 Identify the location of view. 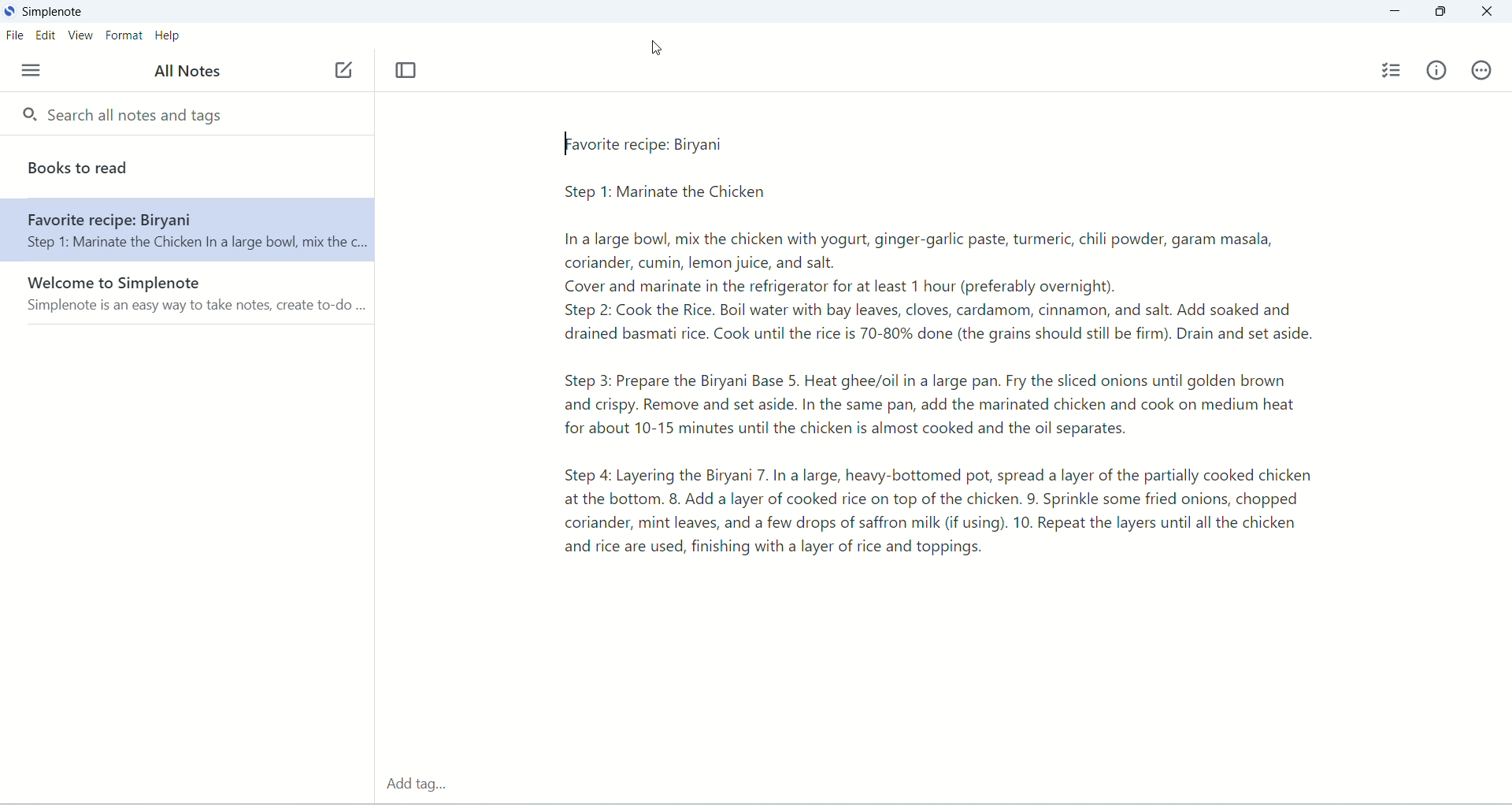
(80, 35).